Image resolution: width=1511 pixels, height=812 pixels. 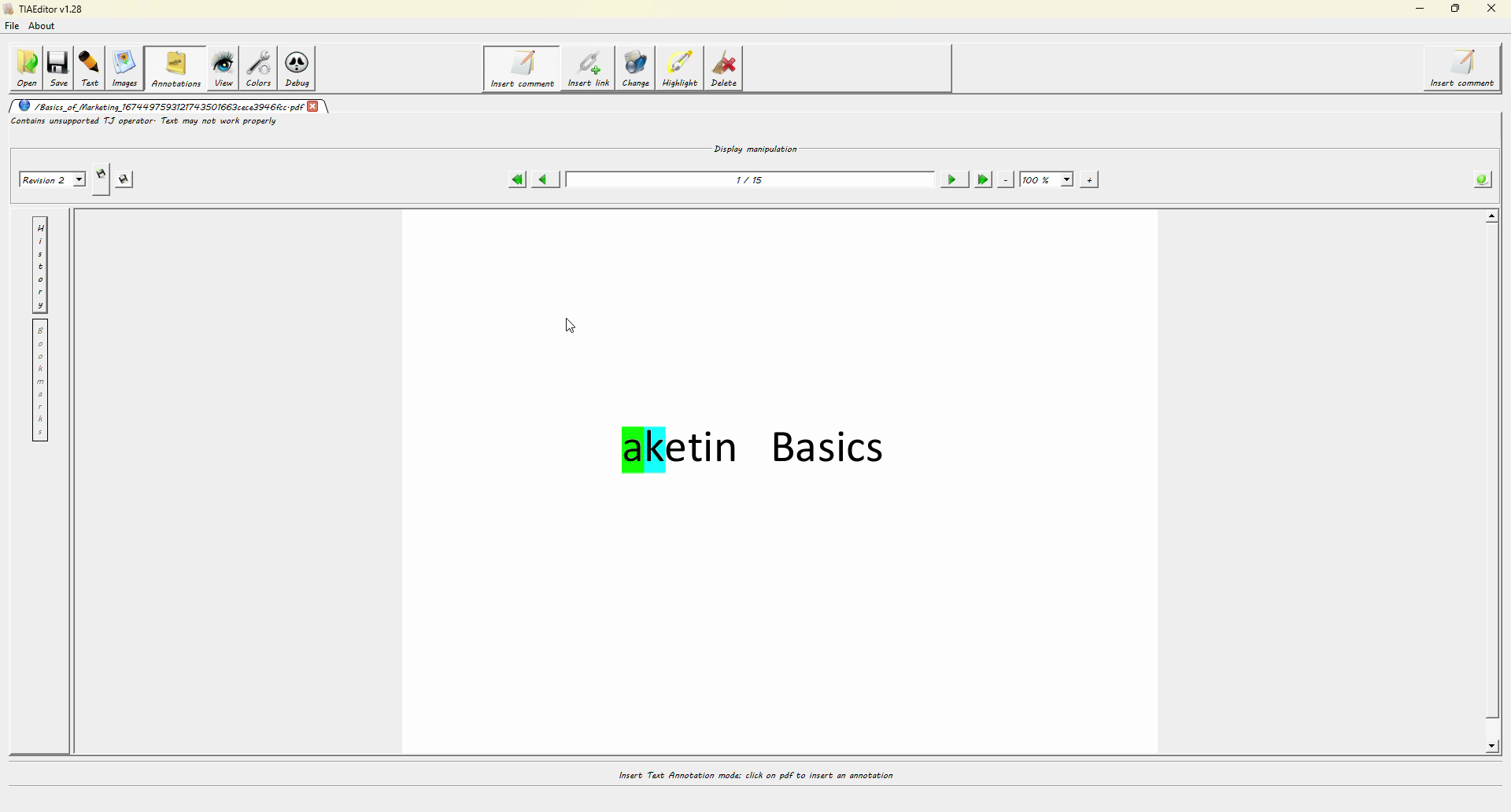 What do you see at coordinates (14, 24) in the screenshot?
I see `file` at bounding box center [14, 24].